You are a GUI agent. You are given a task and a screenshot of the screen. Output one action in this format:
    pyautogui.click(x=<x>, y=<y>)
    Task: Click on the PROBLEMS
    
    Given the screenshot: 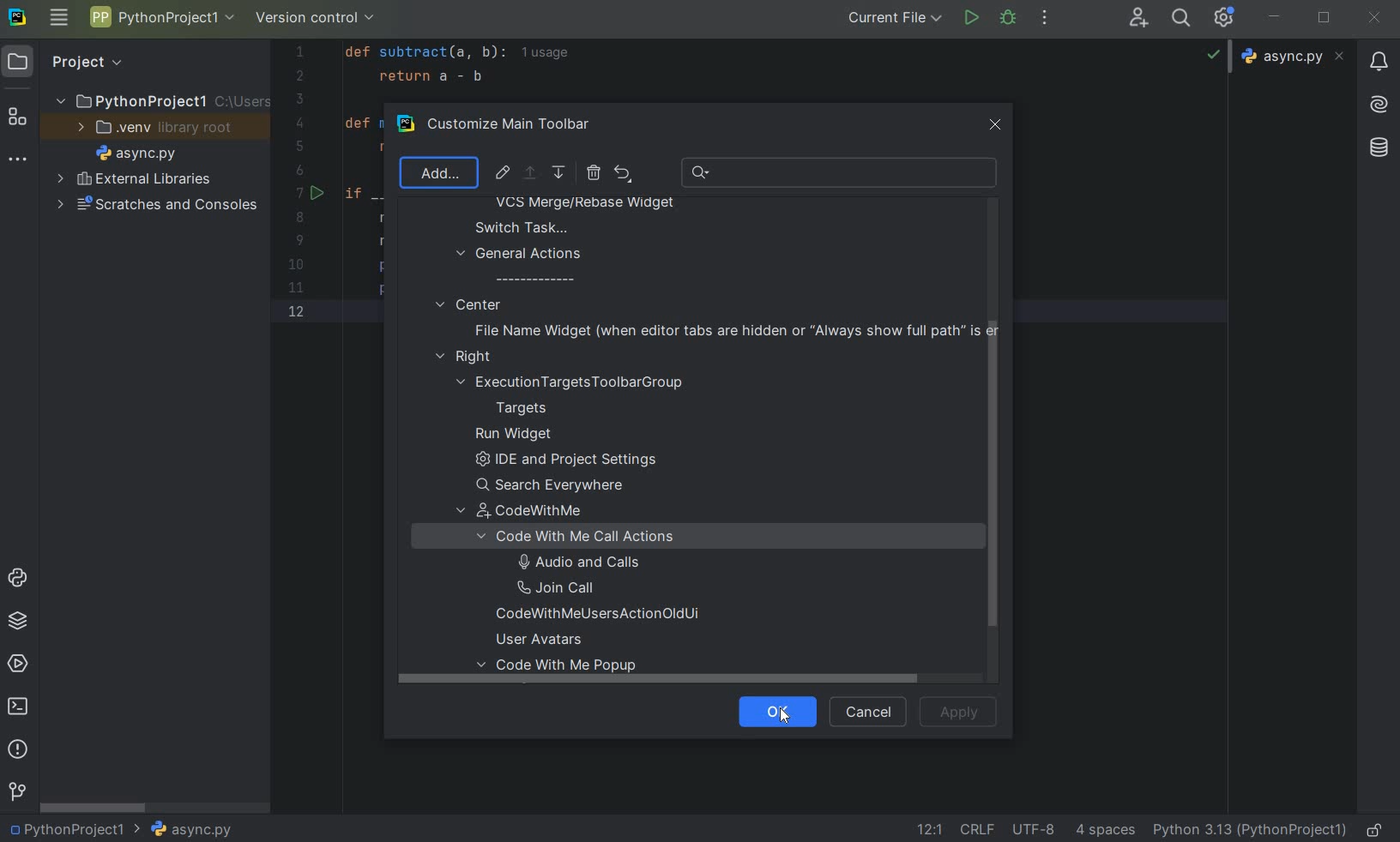 What is the action you would take?
    pyautogui.click(x=20, y=751)
    